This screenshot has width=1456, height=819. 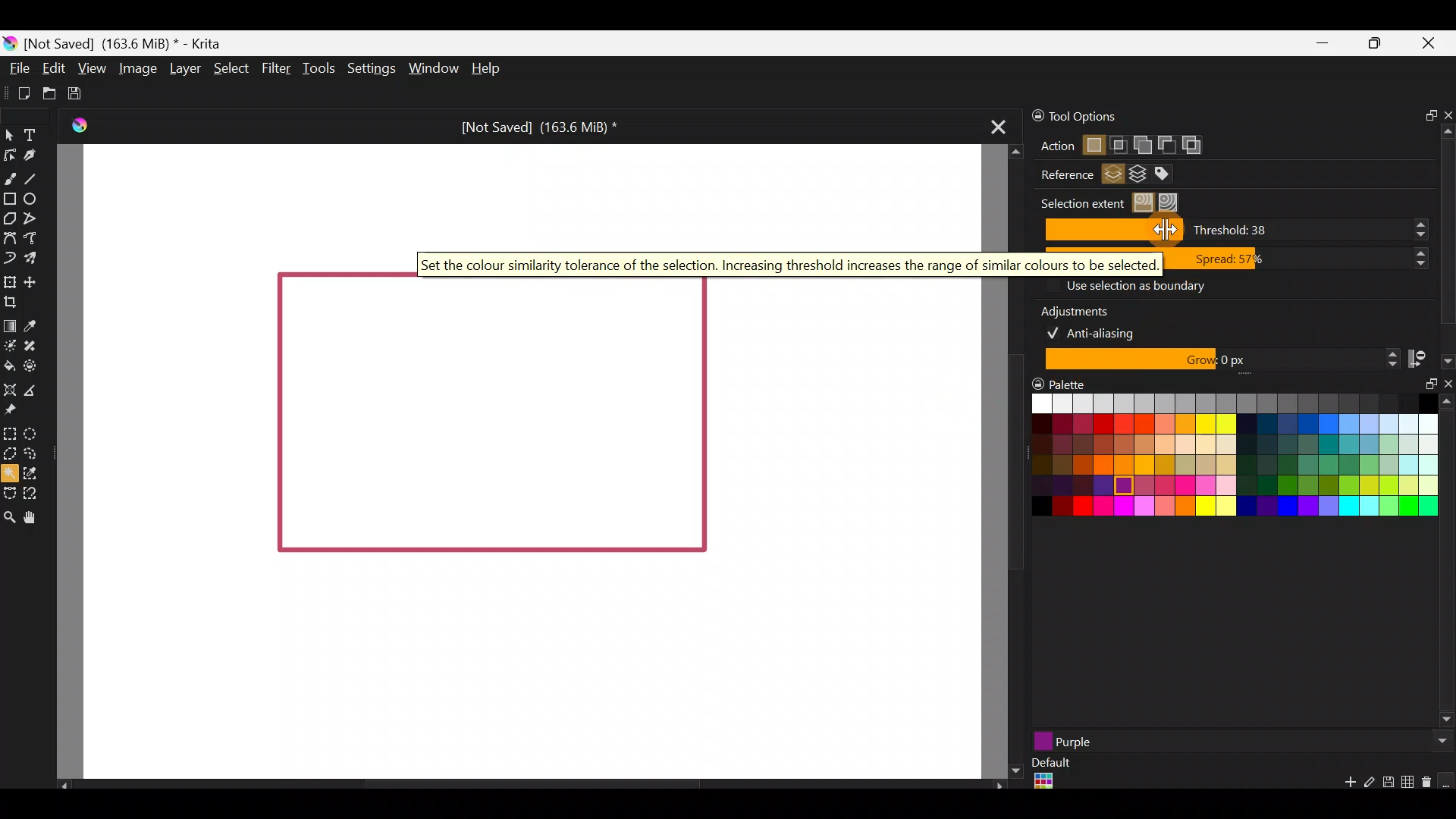 I want to click on Close docker, so click(x=1446, y=111).